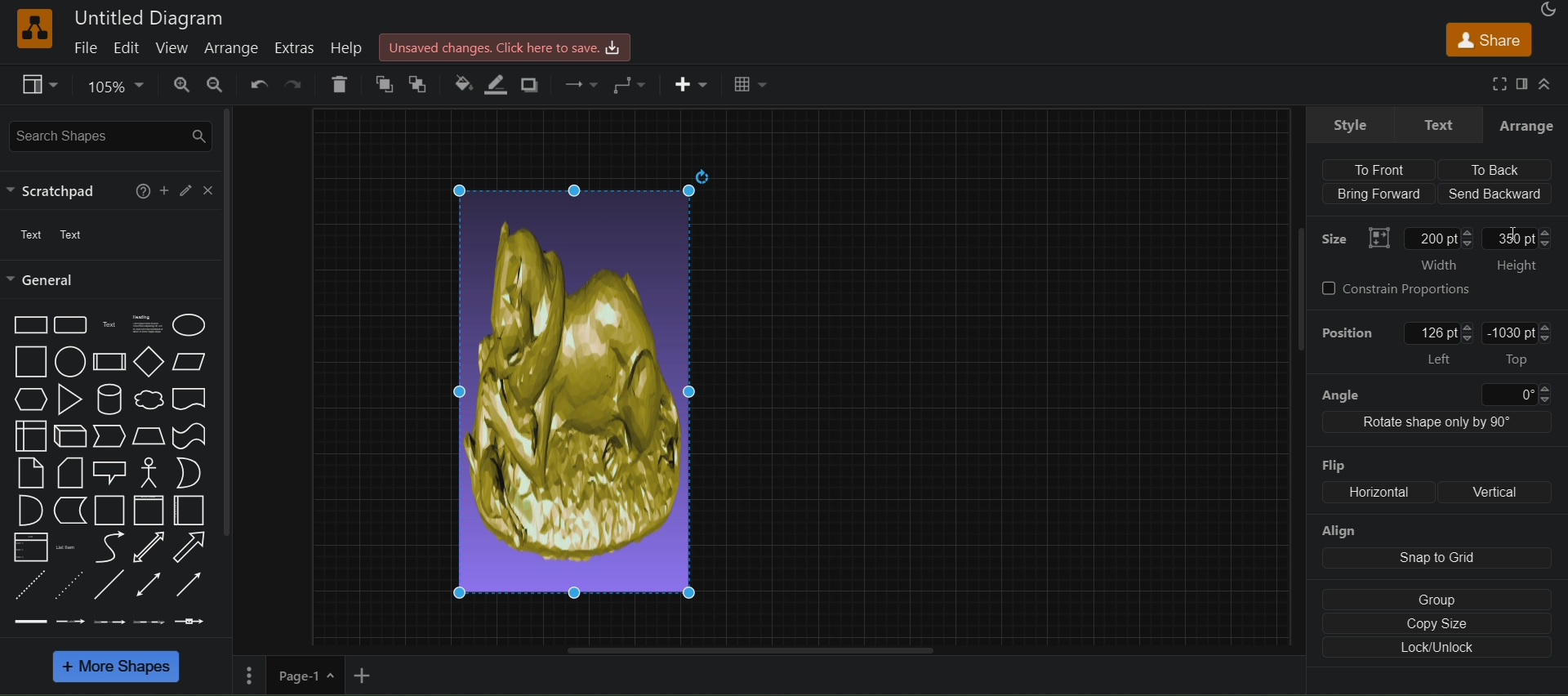  Describe the element at coordinates (369, 676) in the screenshot. I see `add new page` at that location.